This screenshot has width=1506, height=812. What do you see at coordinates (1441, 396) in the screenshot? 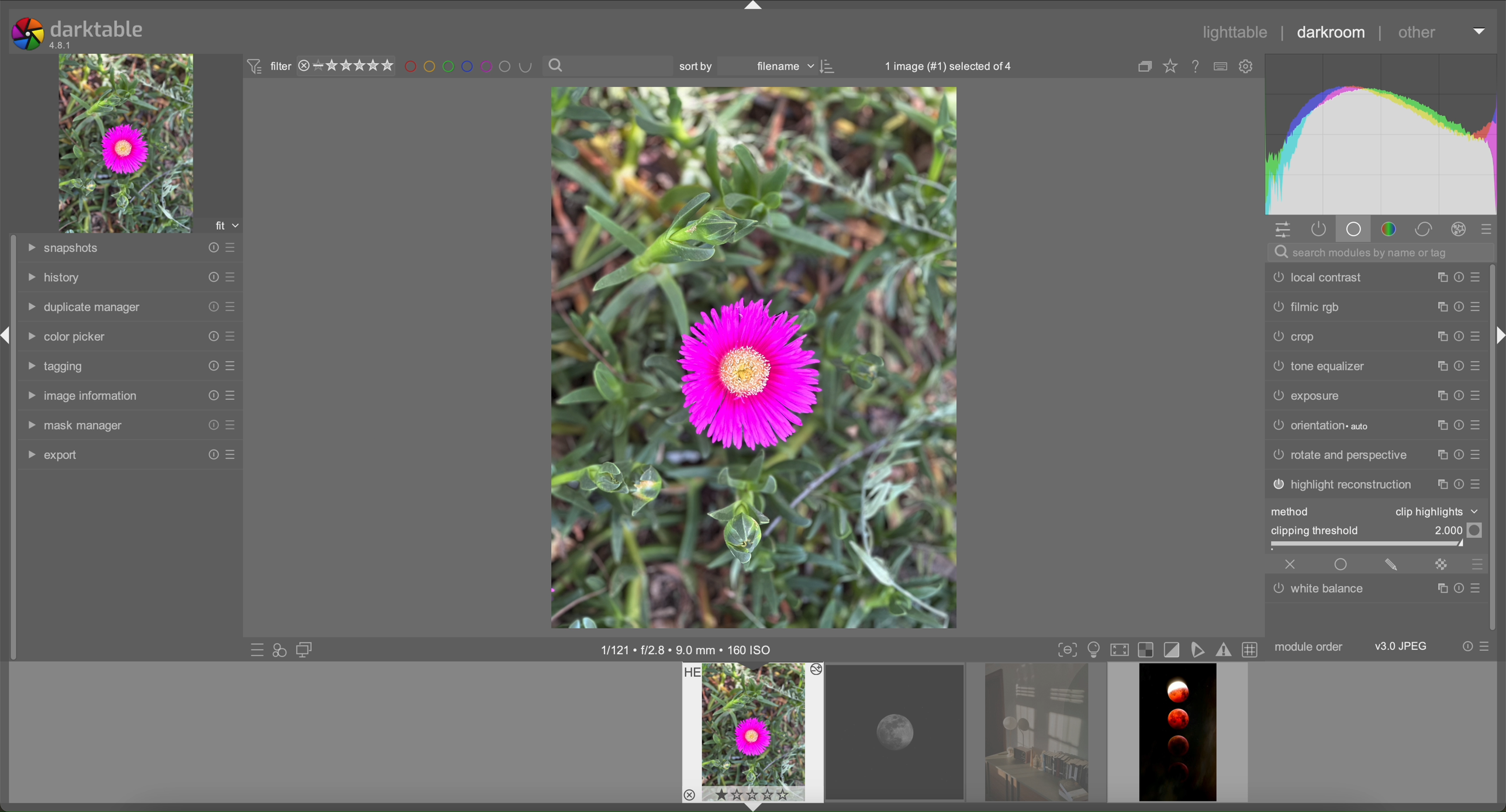
I see `copy` at bounding box center [1441, 396].